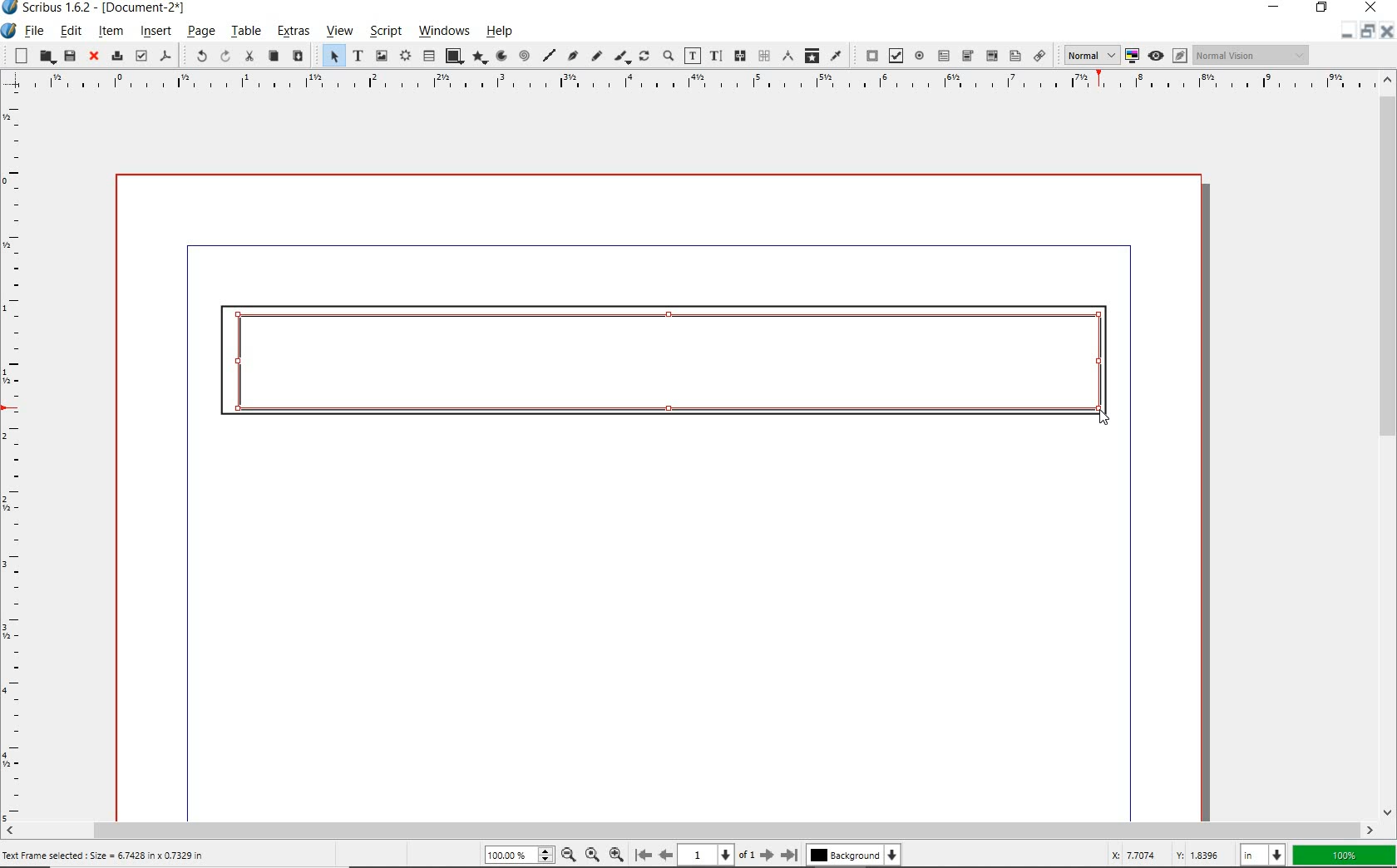  Describe the element at coordinates (35, 31) in the screenshot. I see `file` at that location.